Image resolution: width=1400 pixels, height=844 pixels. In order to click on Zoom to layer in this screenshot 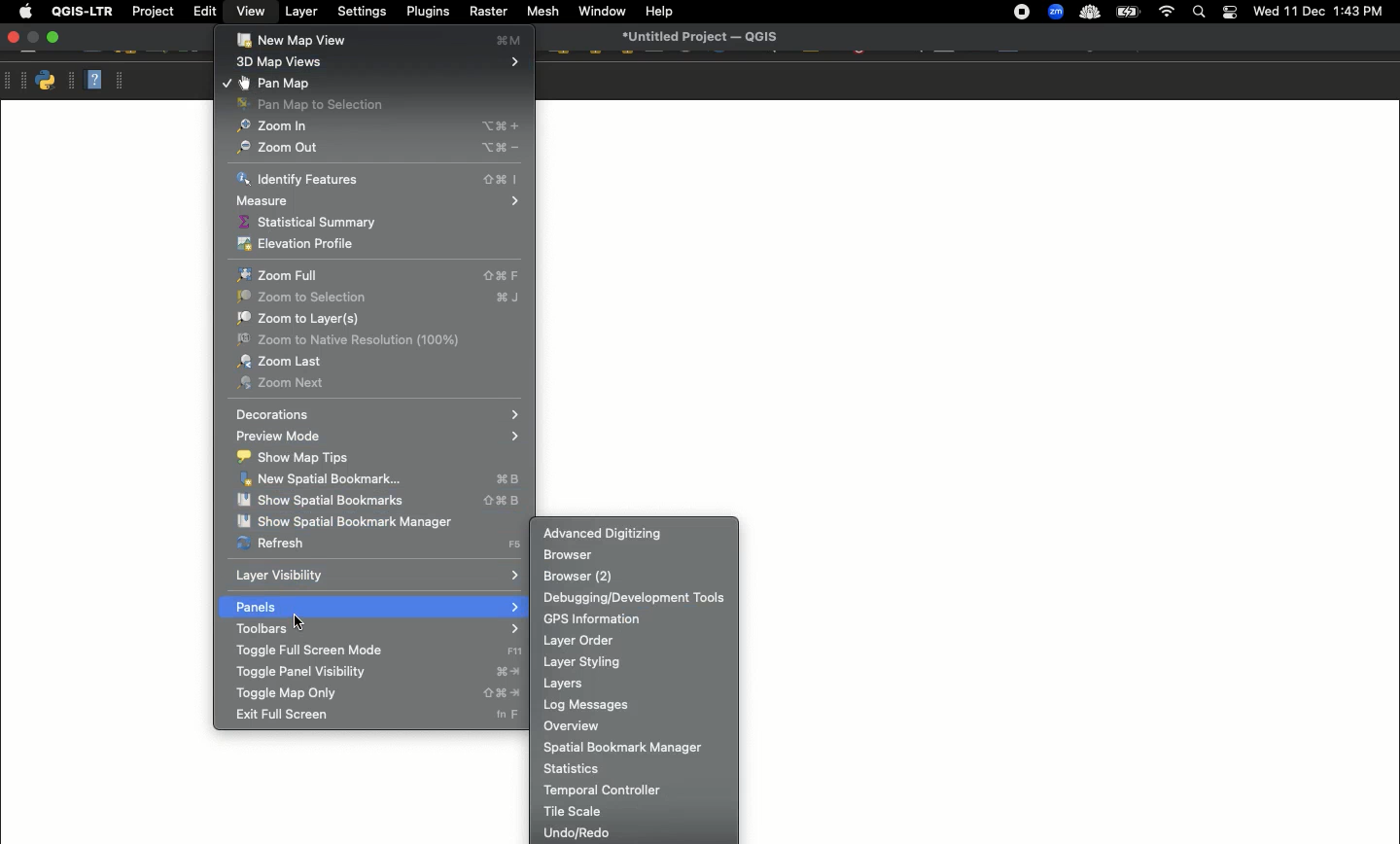, I will do `click(375, 319)`.